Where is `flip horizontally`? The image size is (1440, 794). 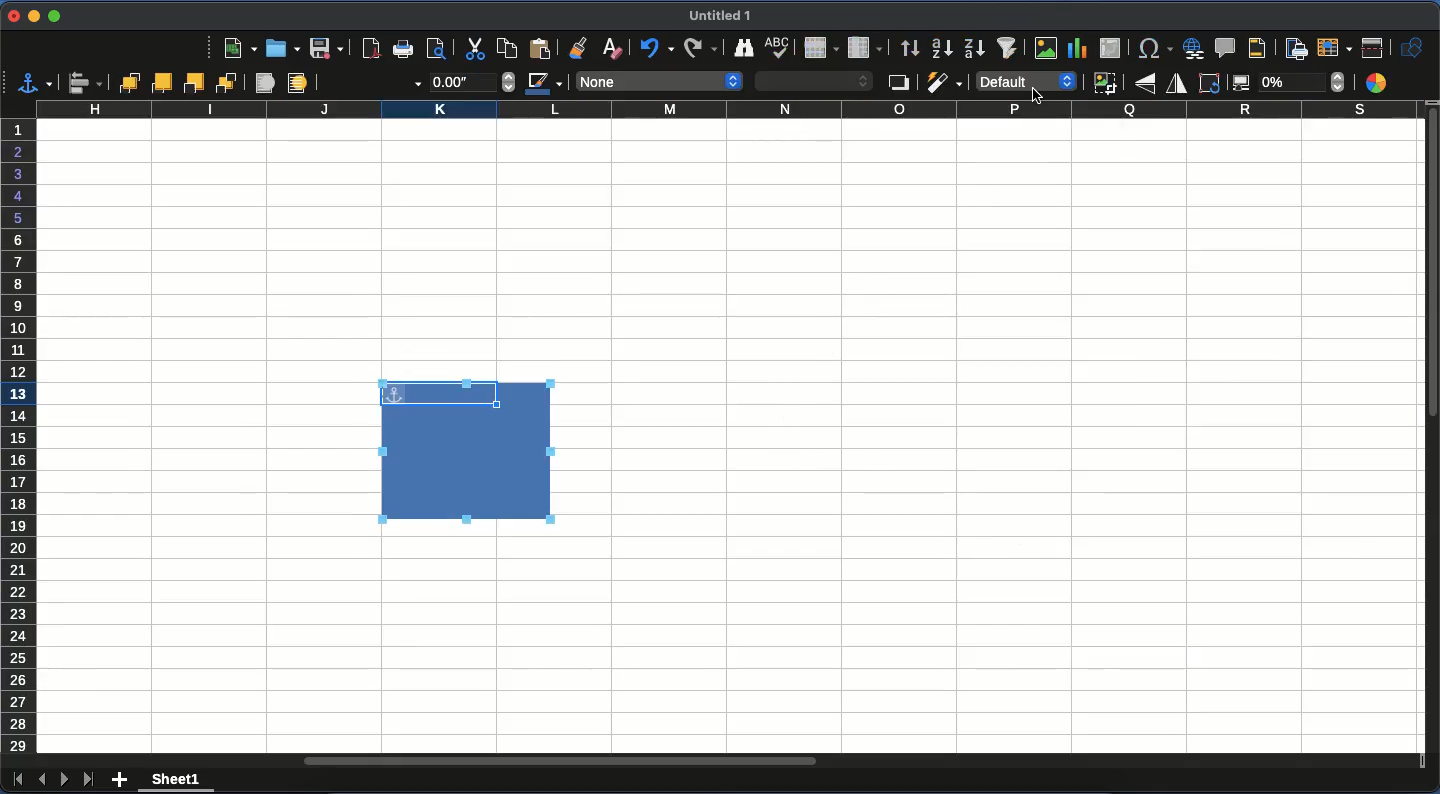 flip horizontally is located at coordinates (1174, 85).